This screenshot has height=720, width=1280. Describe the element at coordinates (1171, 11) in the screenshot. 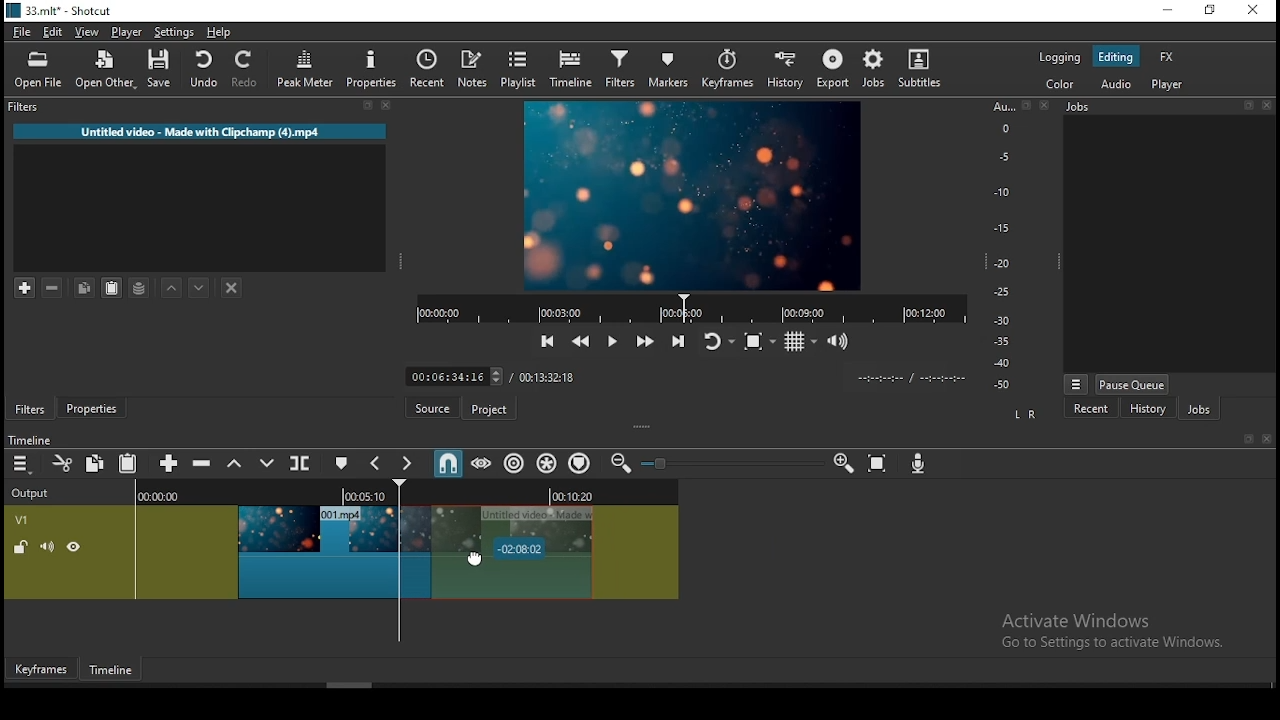

I see `minimize` at that location.